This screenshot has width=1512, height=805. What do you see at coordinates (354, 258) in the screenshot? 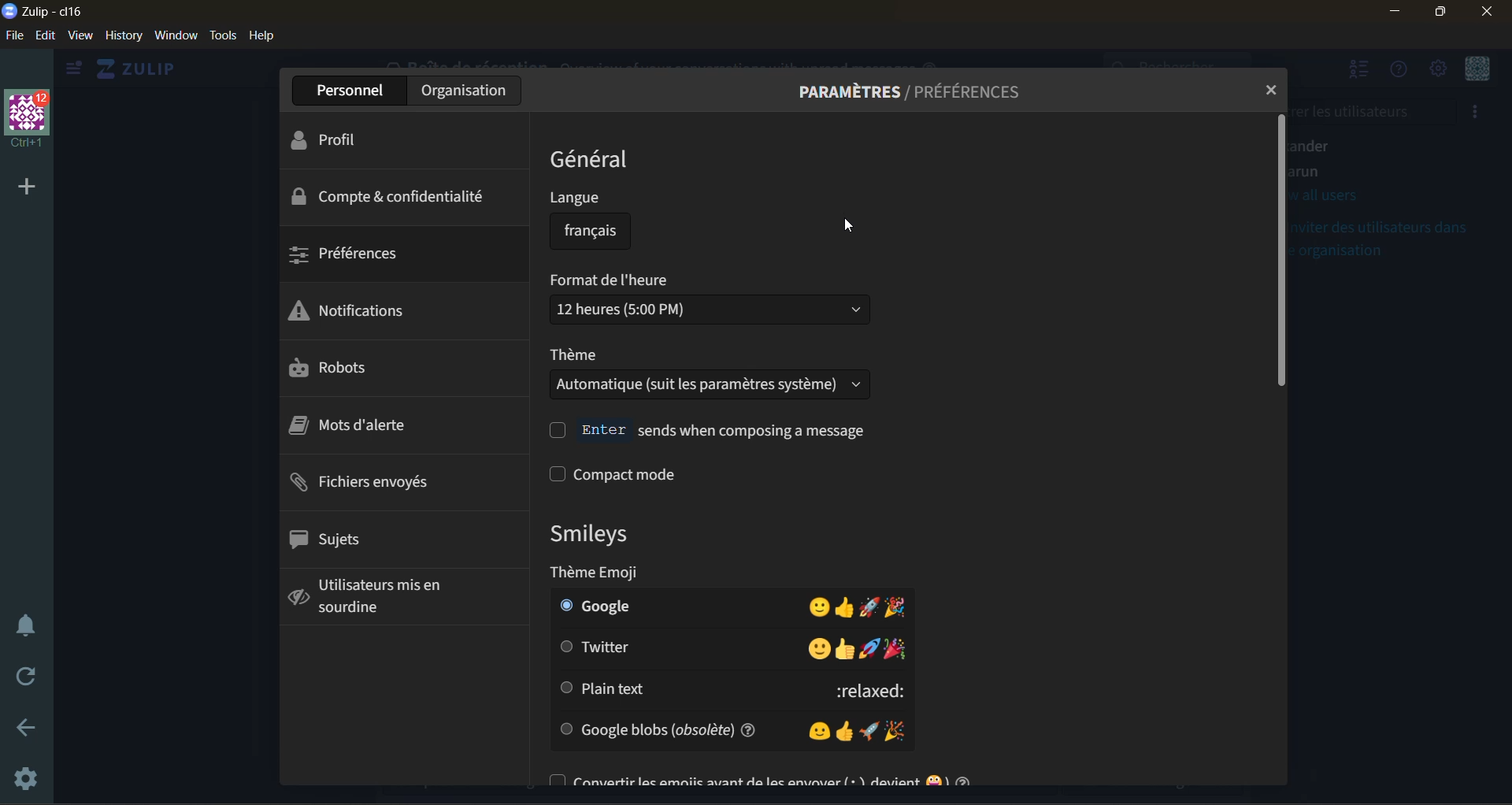
I see `prefeerences` at bounding box center [354, 258].